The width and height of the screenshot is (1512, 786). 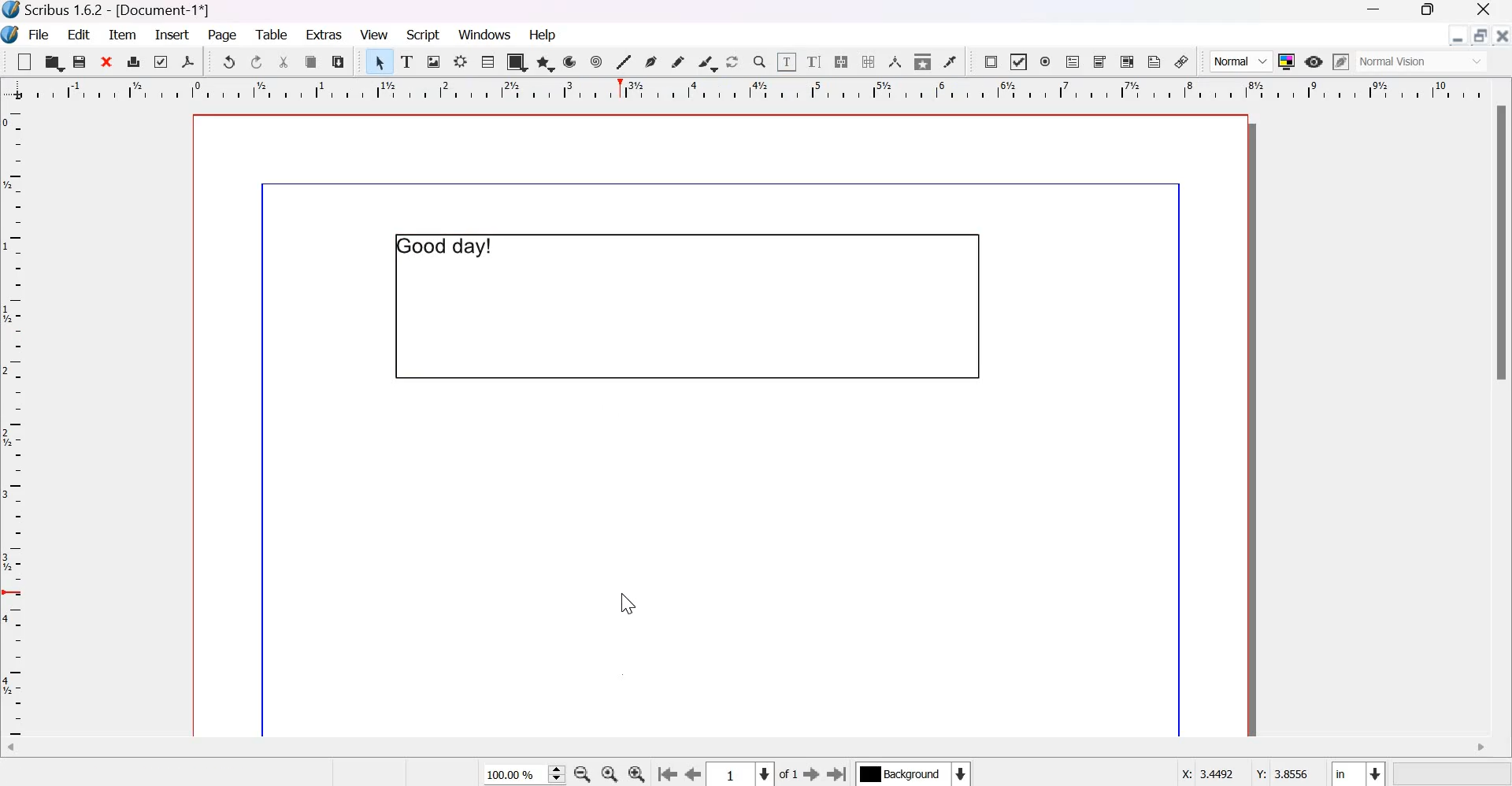 I want to click on cursor, so click(x=632, y=606).